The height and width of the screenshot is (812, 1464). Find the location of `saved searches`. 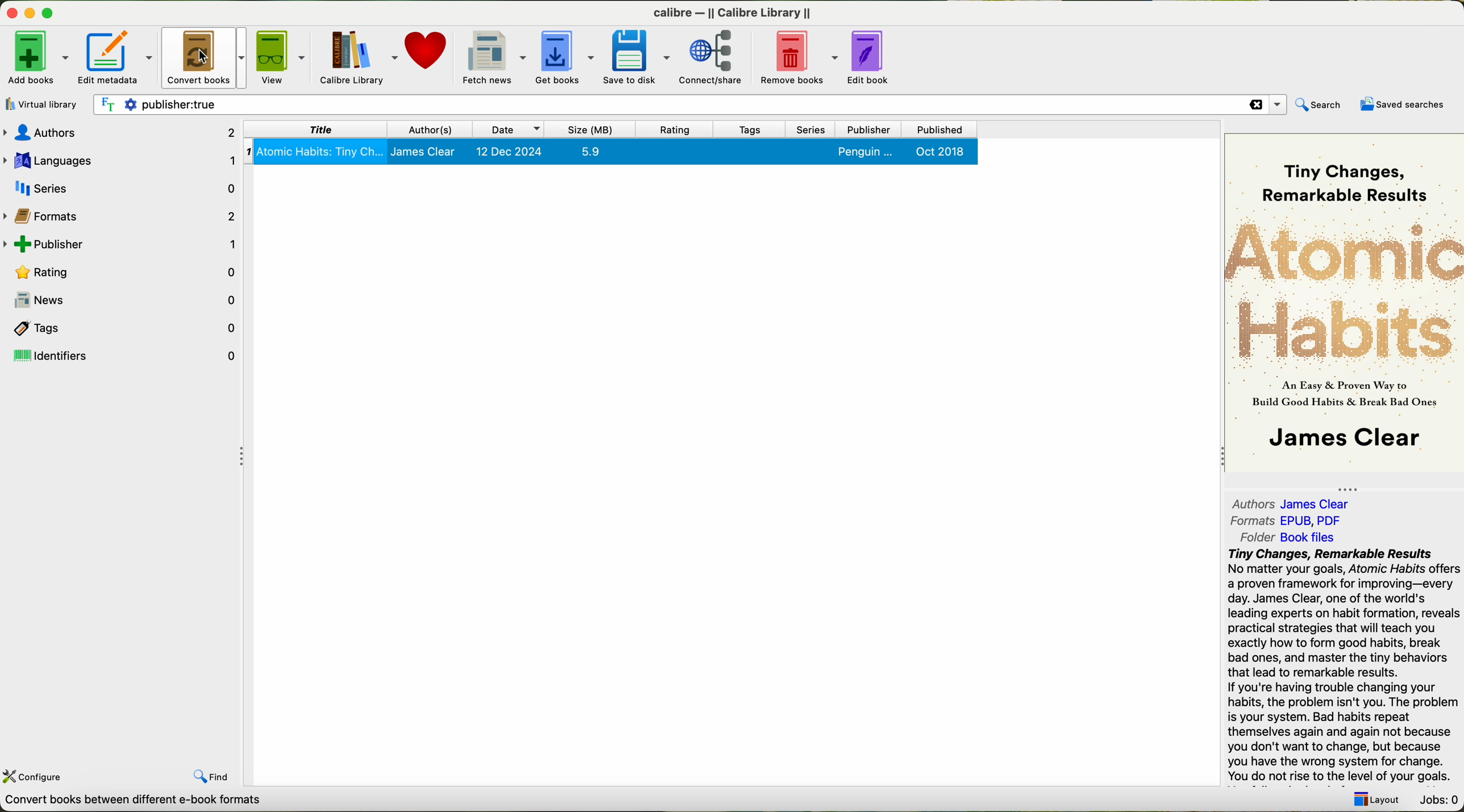

saved searches is located at coordinates (1403, 105).